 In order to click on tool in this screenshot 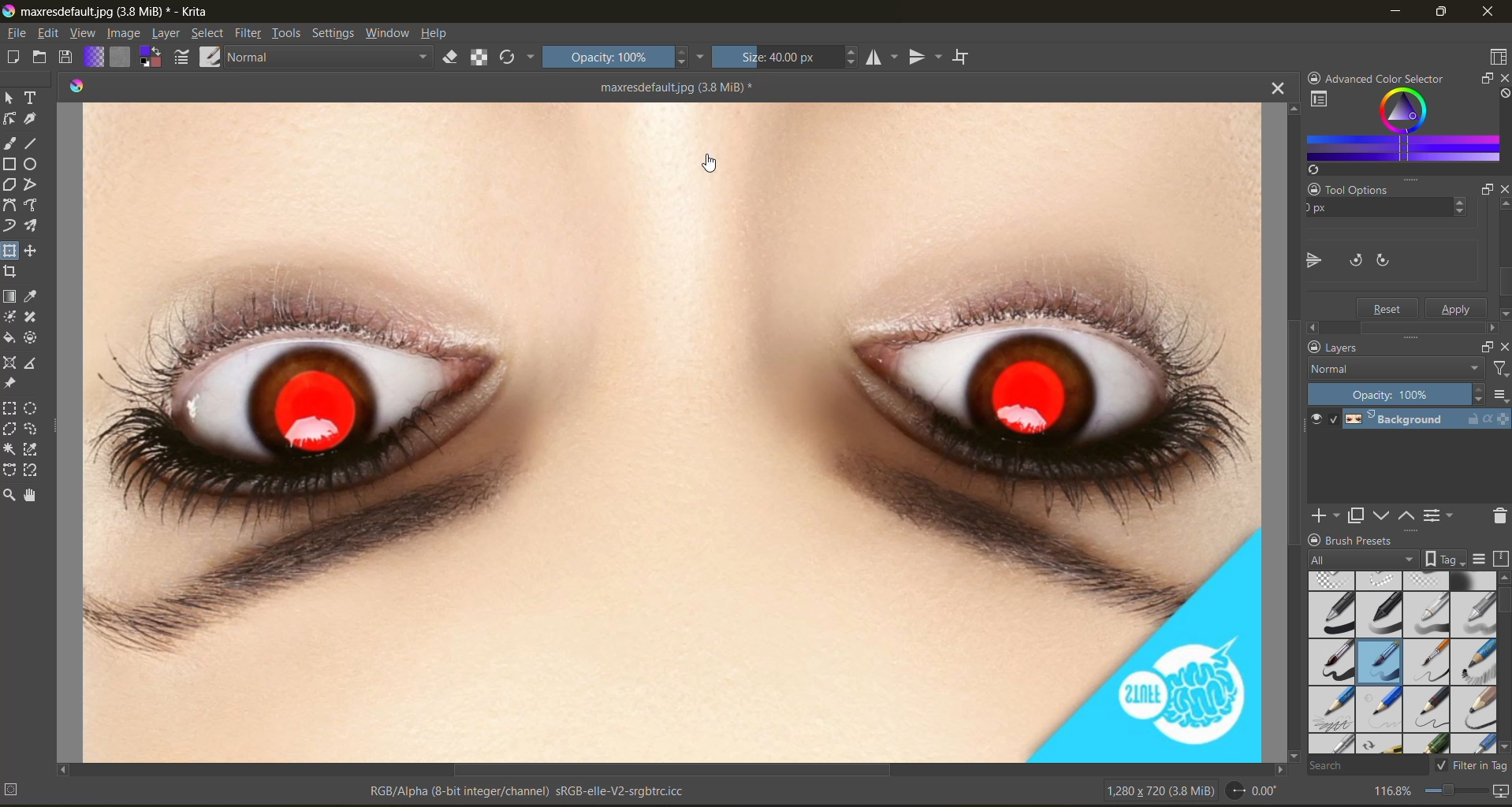, I will do `click(35, 143)`.